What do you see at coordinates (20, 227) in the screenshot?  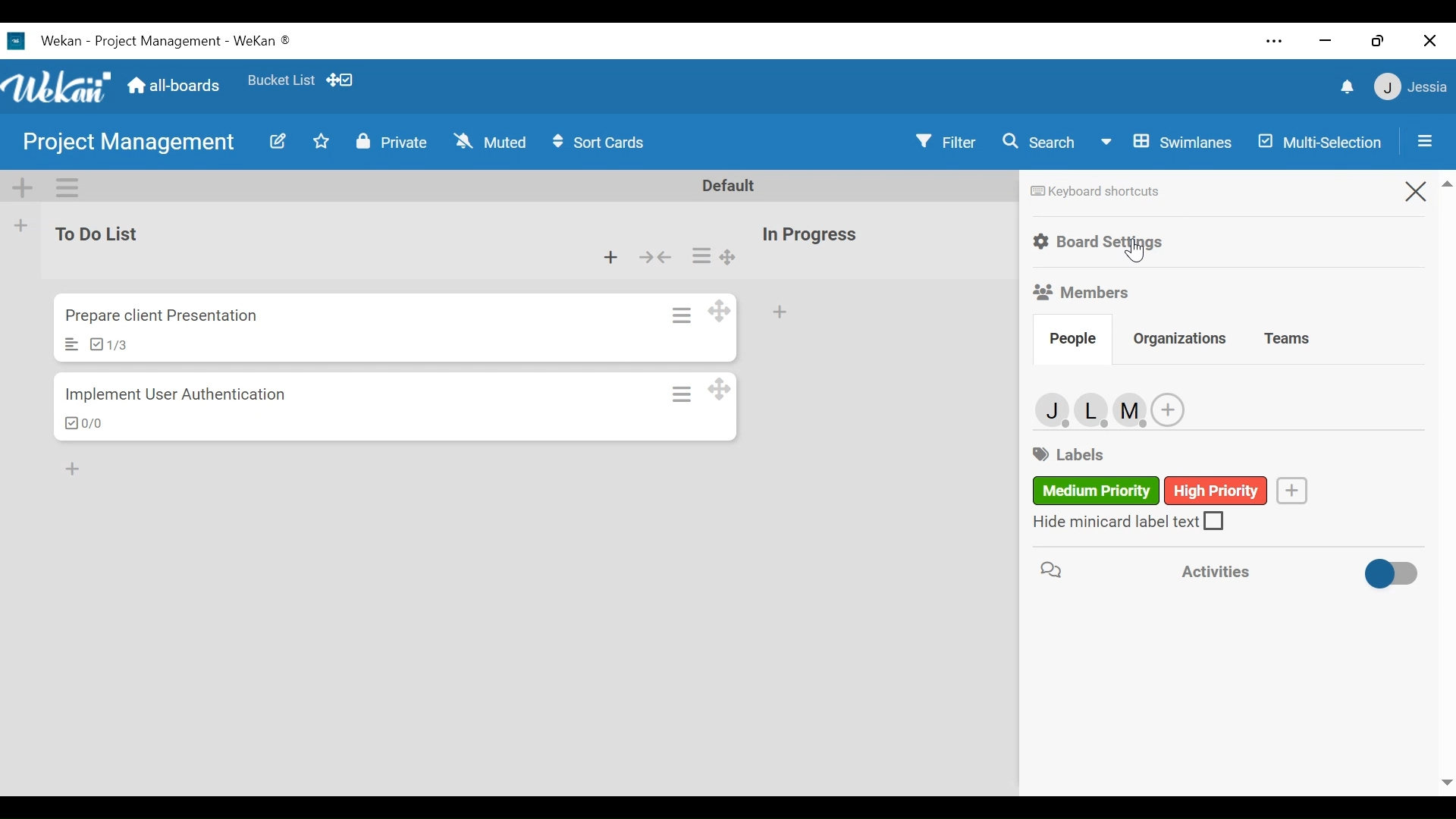 I see `Add List` at bounding box center [20, 227].